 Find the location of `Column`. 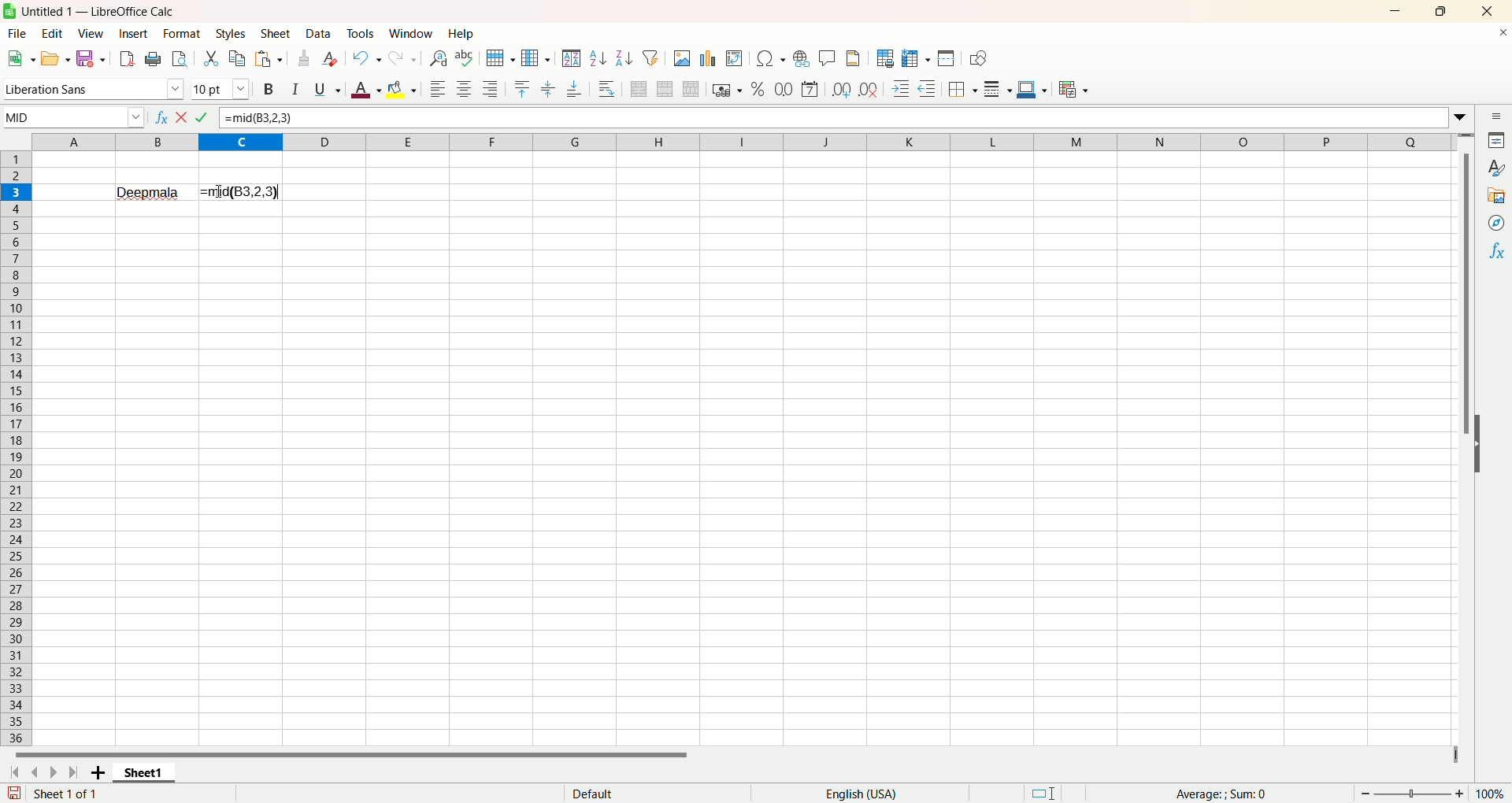

Column is located at coordinates (536, 58).